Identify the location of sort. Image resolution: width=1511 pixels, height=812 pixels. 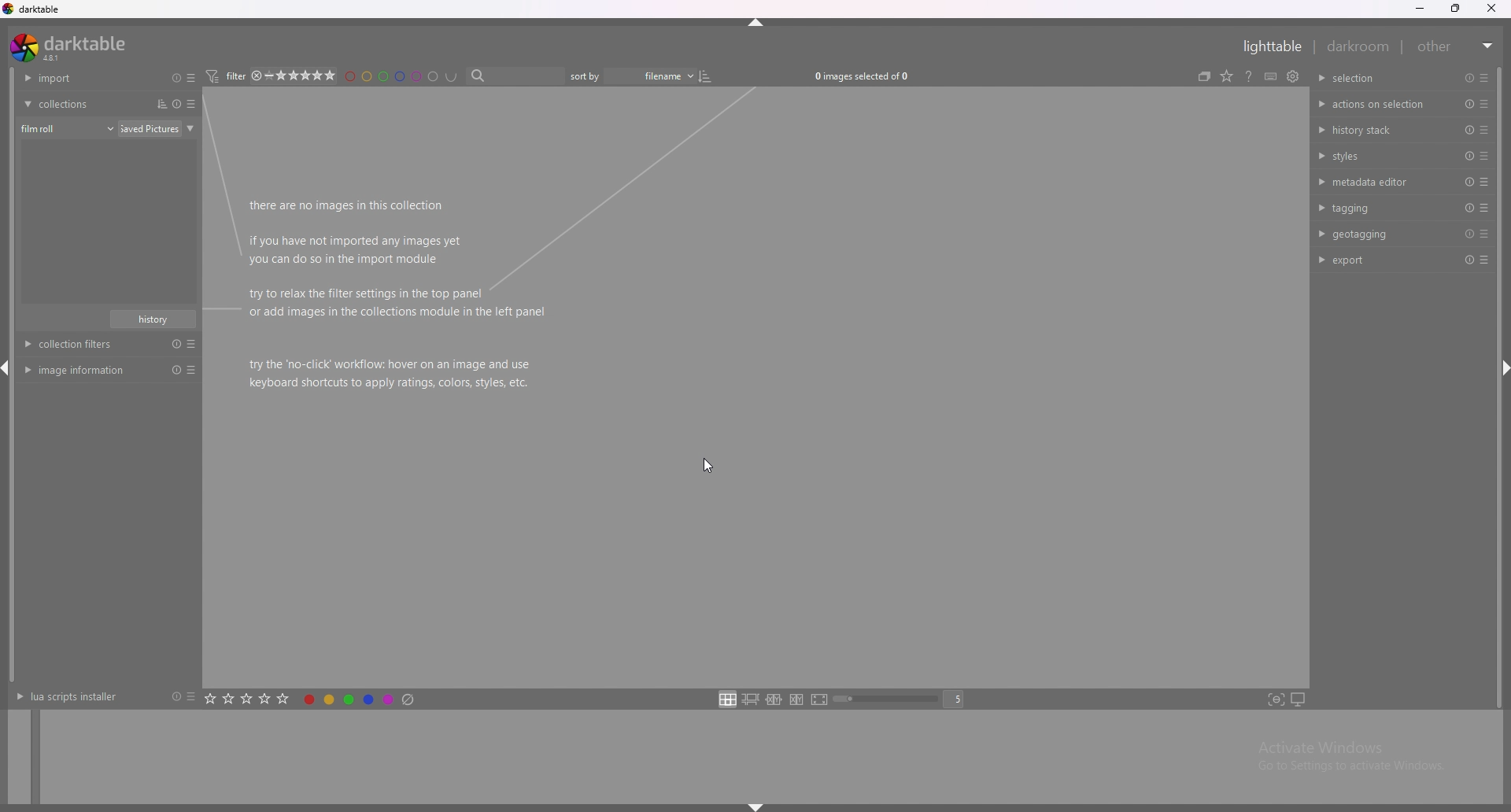
(158, 104).